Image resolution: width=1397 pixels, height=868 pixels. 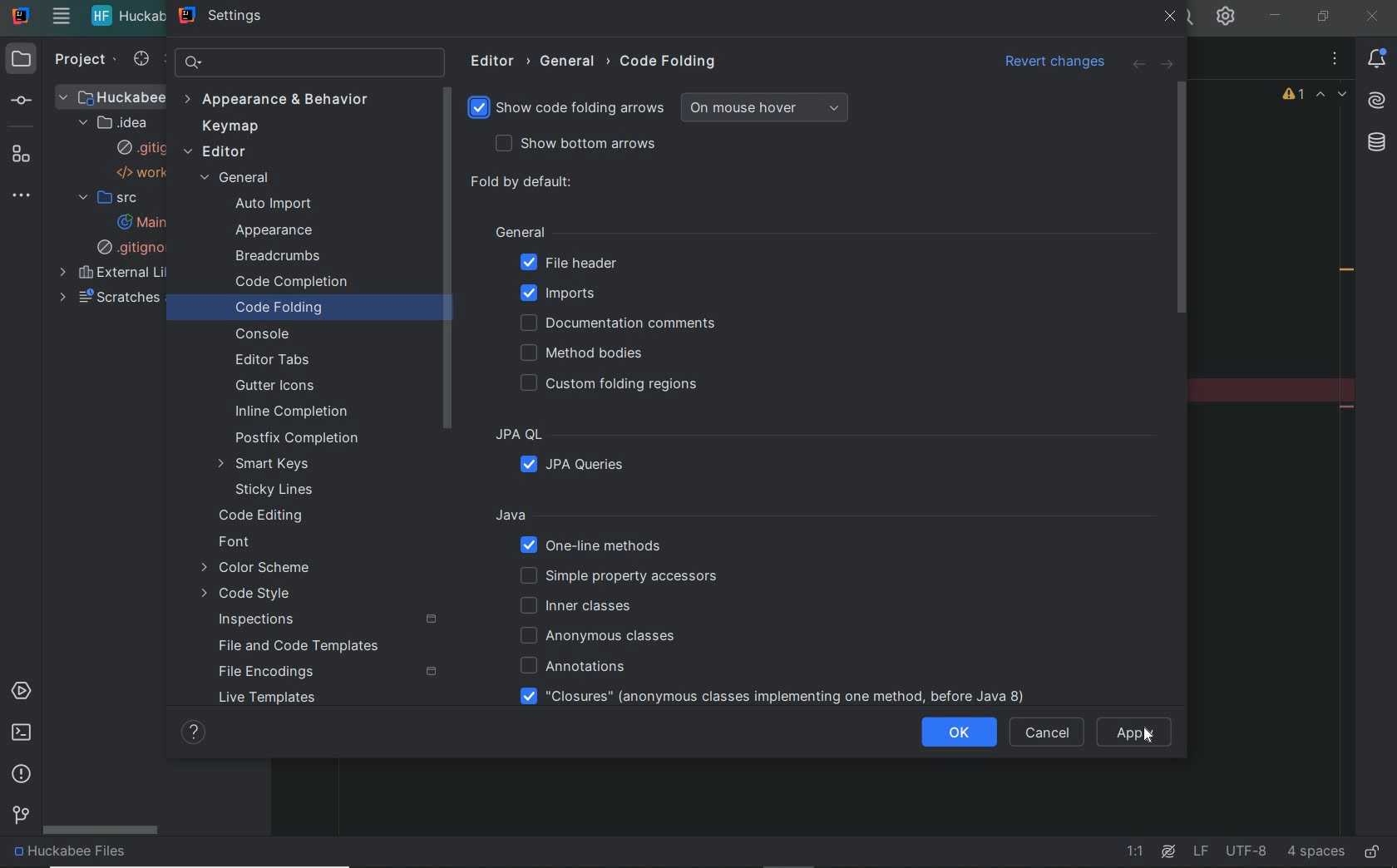 What do you see at coordinates (61, 18) in the screenshot?
I see `main menu` at bounding box center [61, 18].